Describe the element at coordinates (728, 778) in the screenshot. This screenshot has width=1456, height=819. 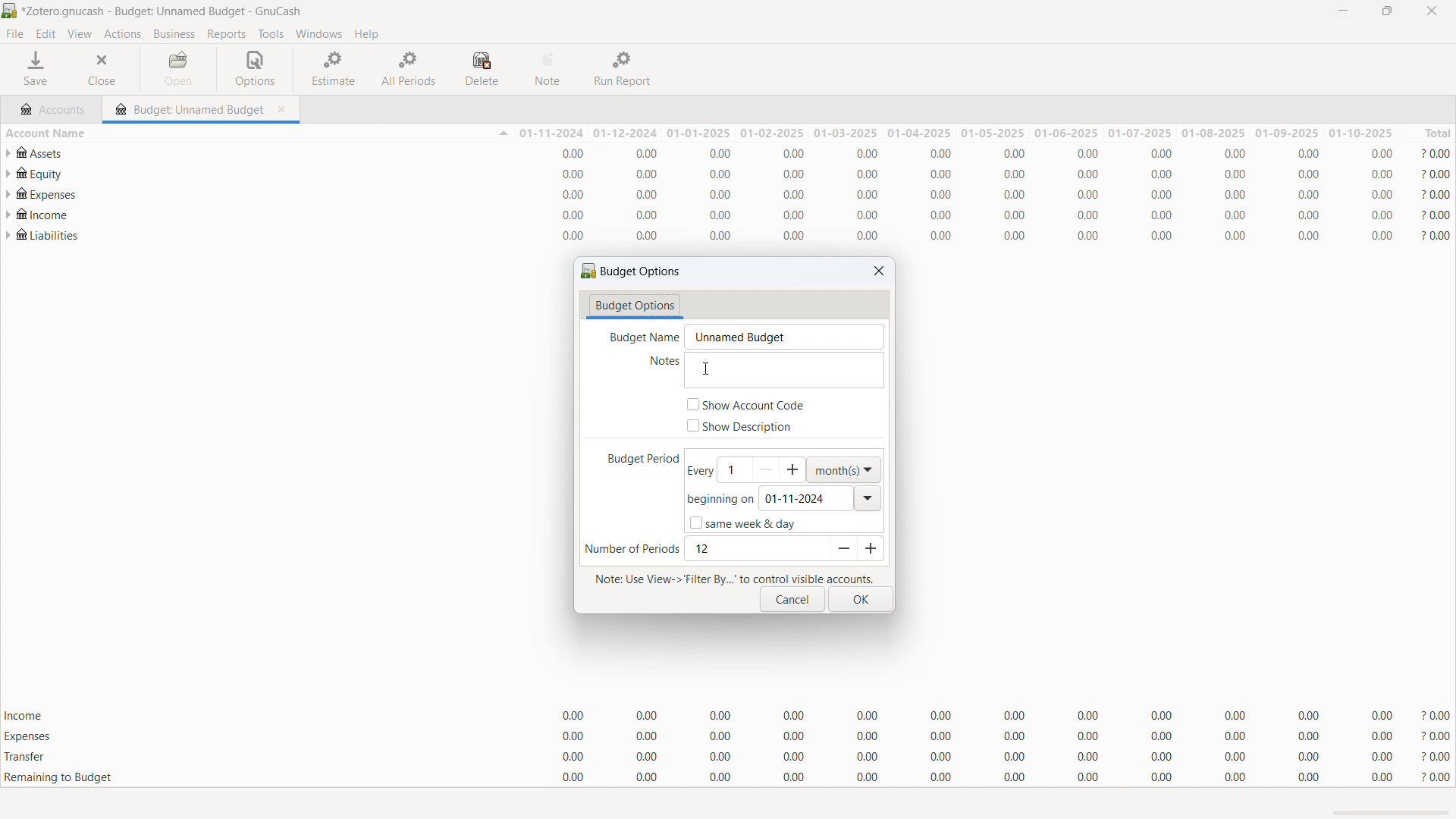
I see `remaining to budget total` at that location.